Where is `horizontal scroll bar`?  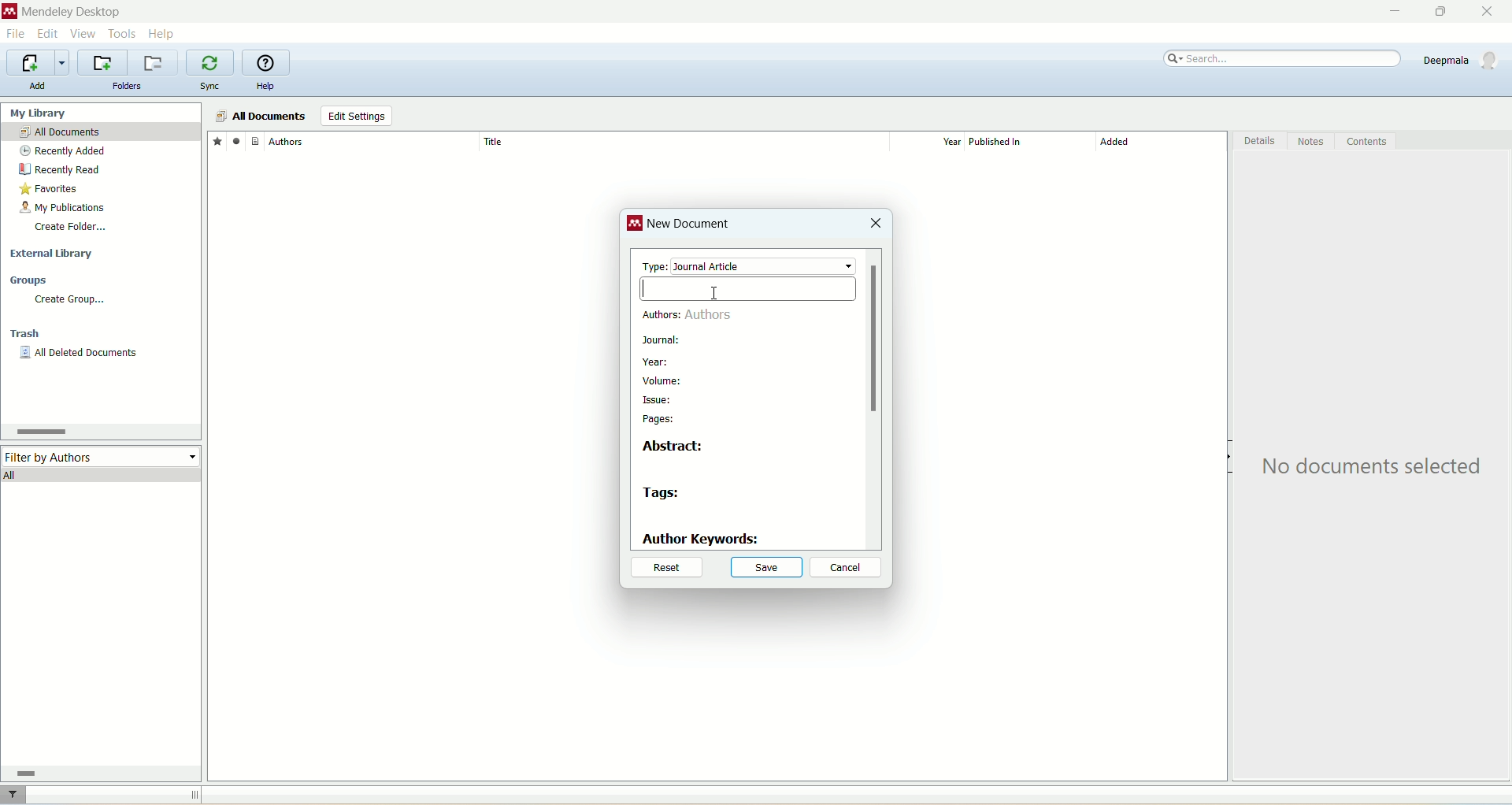 horizontal scroll bar is located at coordinates (98, 773).